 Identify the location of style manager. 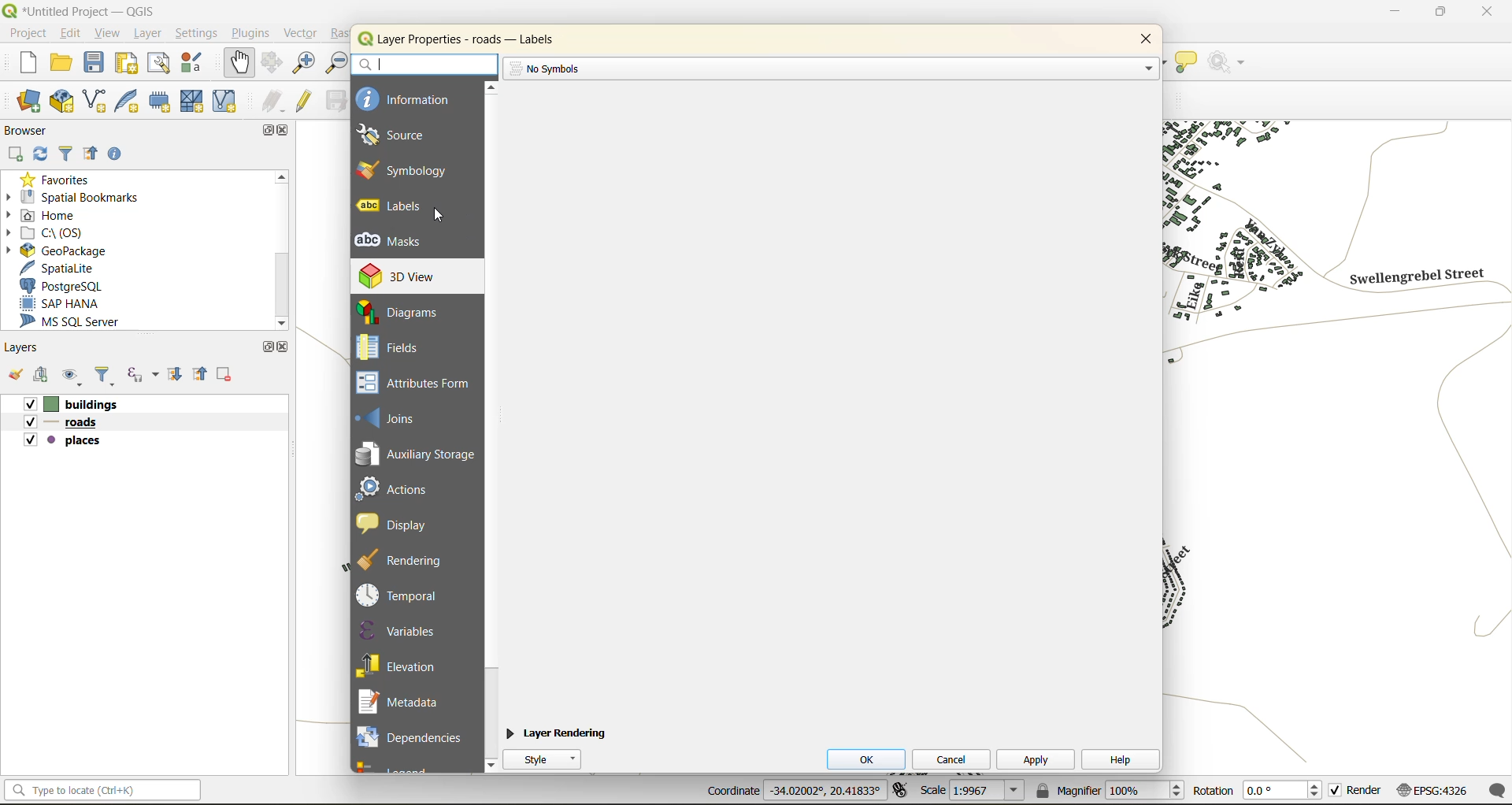
(198, 65).